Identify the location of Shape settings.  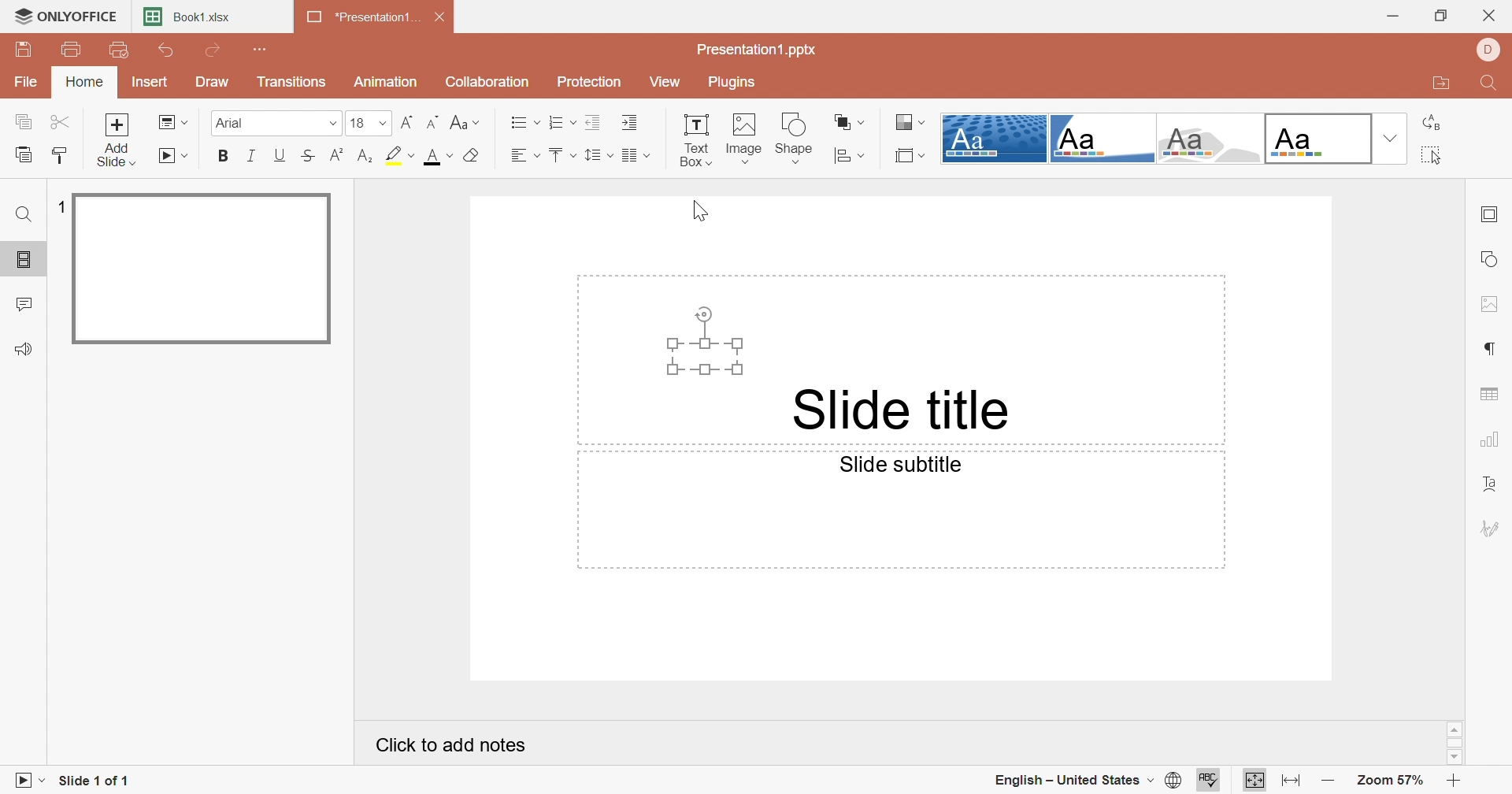
(1494, 258).